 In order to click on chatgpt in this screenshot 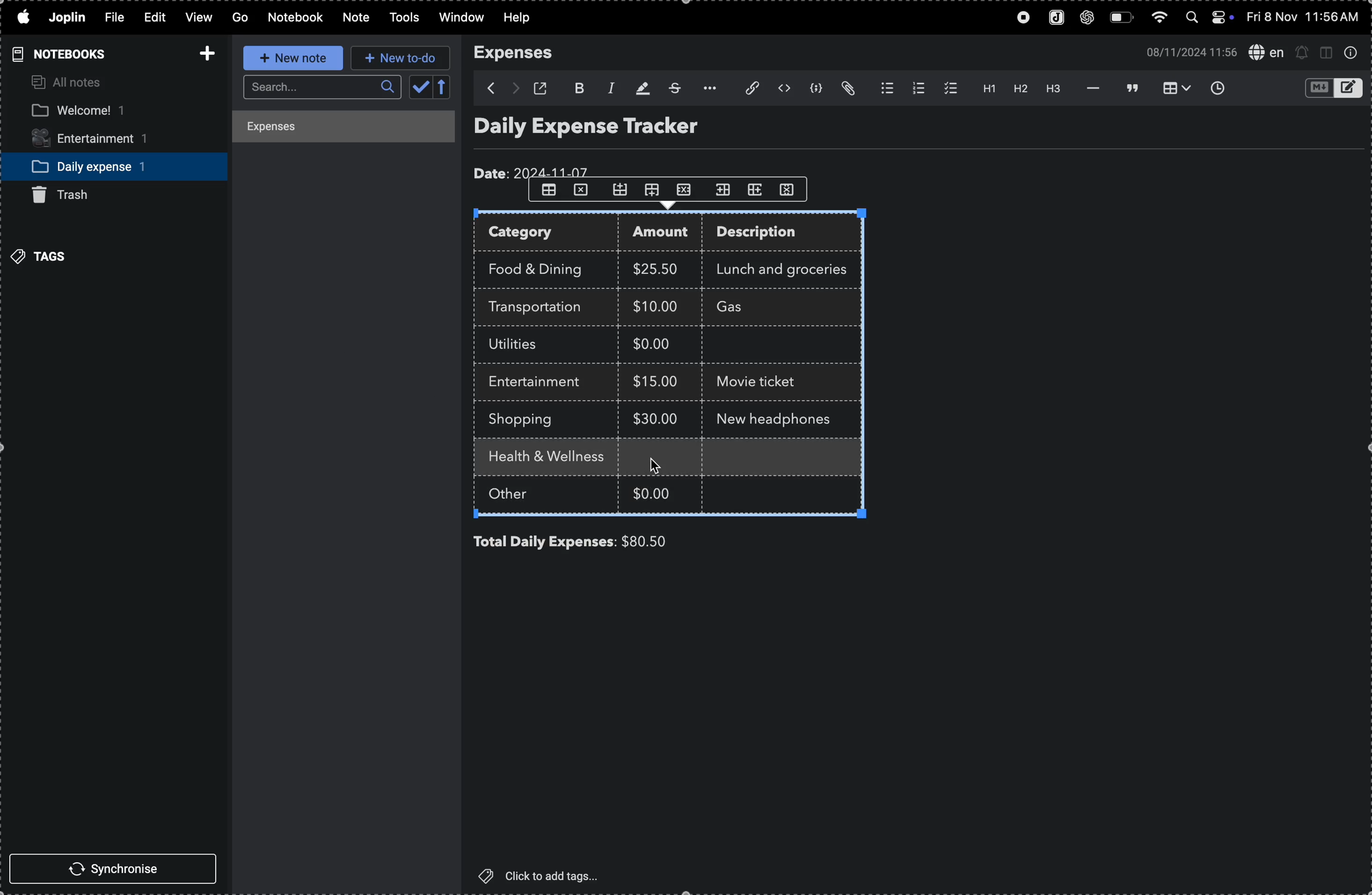, I will do `click(1088, 18)`.